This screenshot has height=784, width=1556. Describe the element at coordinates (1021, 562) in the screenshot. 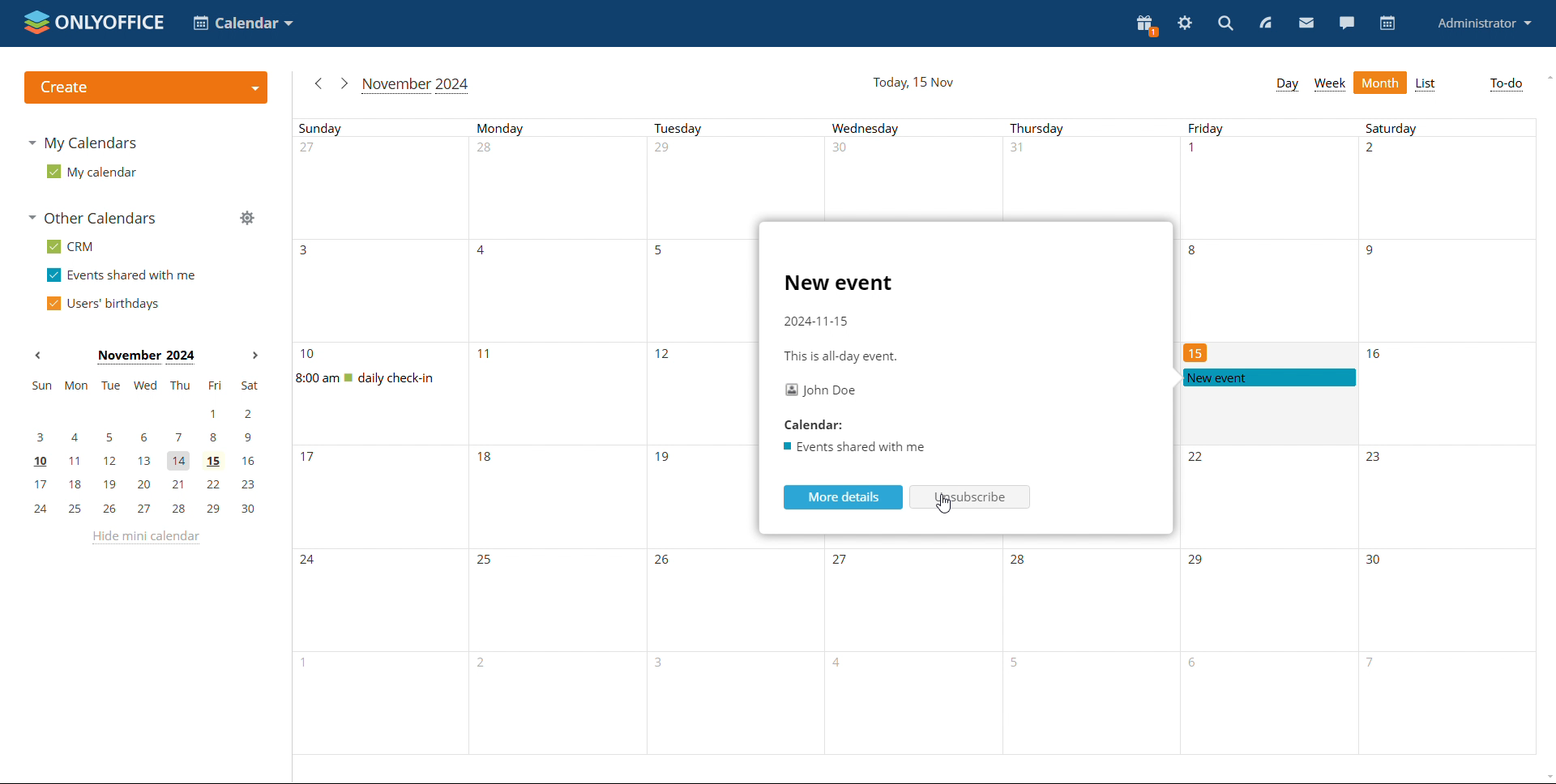

I see `Number` at that location.